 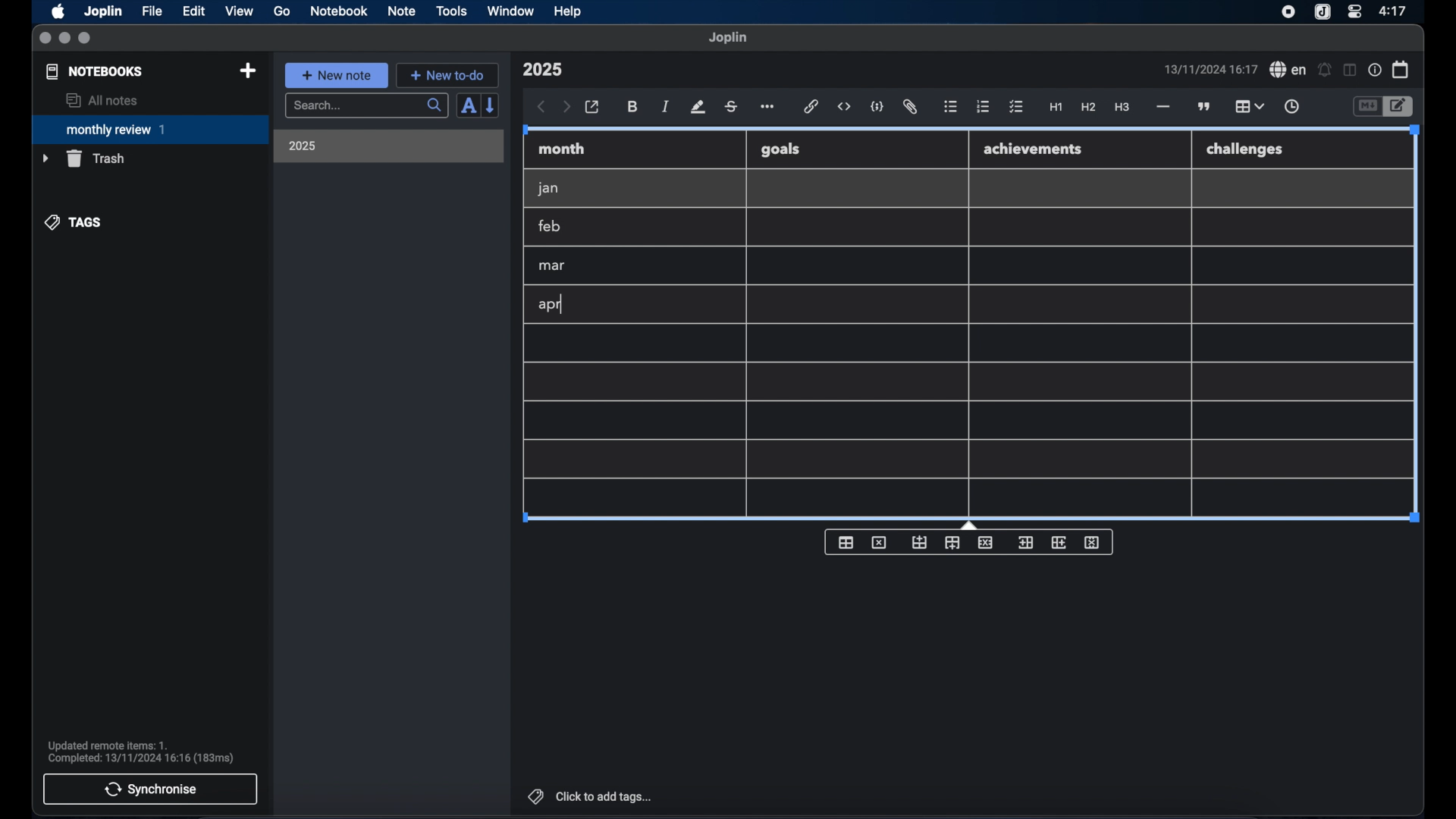 What do you see at coordinates (987, 541) in the screenshot?
I see `delete row` at bounding box center [987, 541].